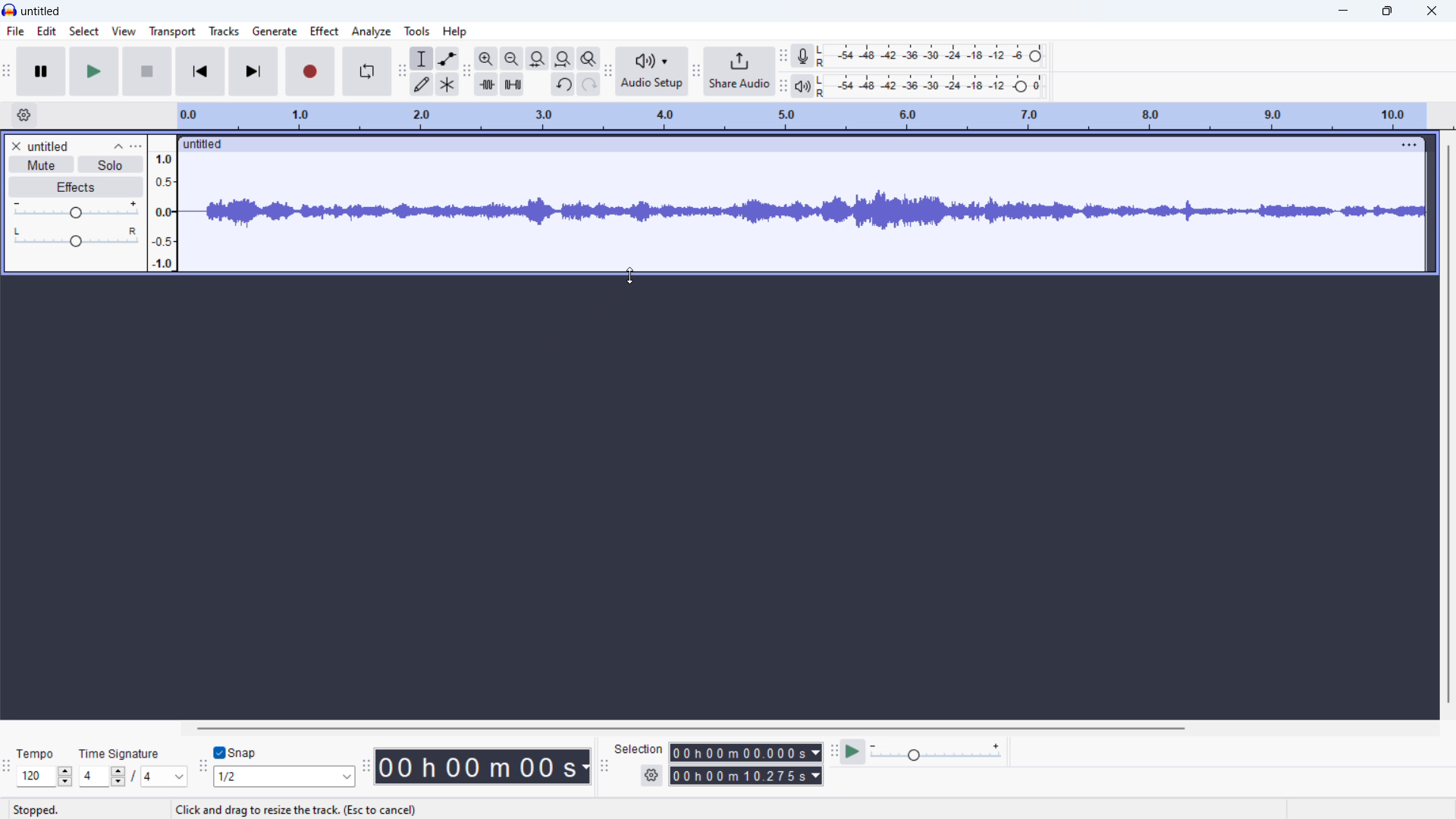  I want to click on undo, so click(563, 85).